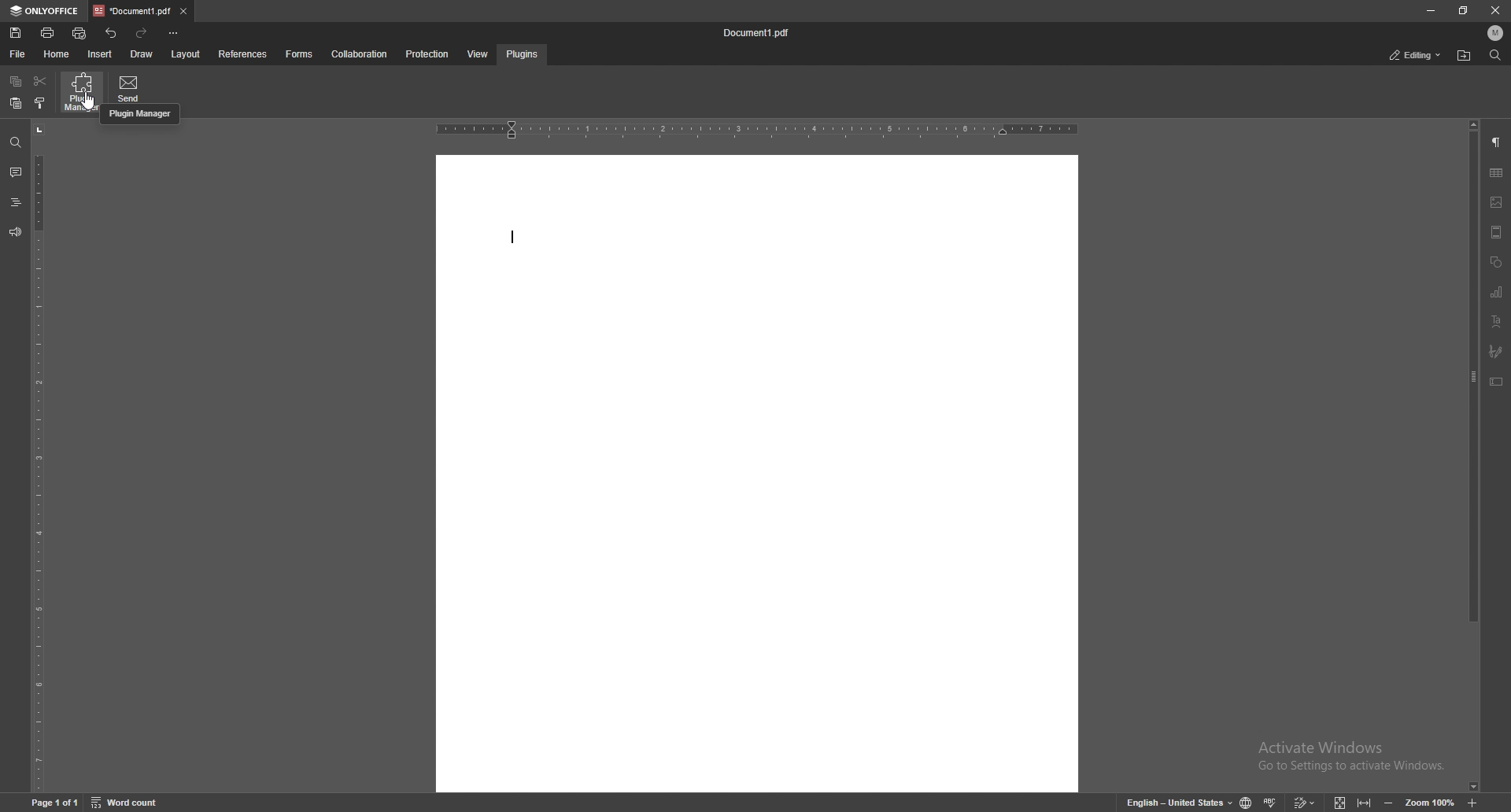 This screenshot has width=1511, height=812. What do you see at coordinates (131, 802) in the screenshot?
I see `Word count` at bounding box center [131, 802].